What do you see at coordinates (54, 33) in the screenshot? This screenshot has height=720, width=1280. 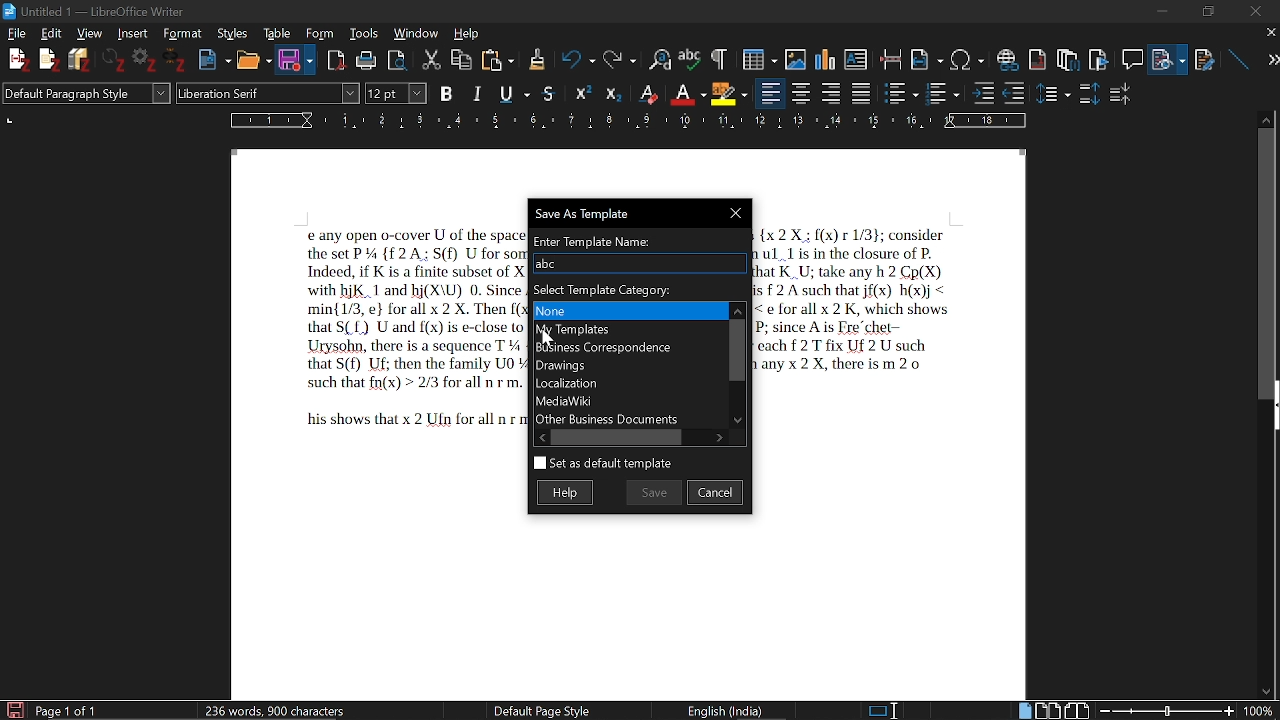 I see `Edit` at bounding box center [54, 33].